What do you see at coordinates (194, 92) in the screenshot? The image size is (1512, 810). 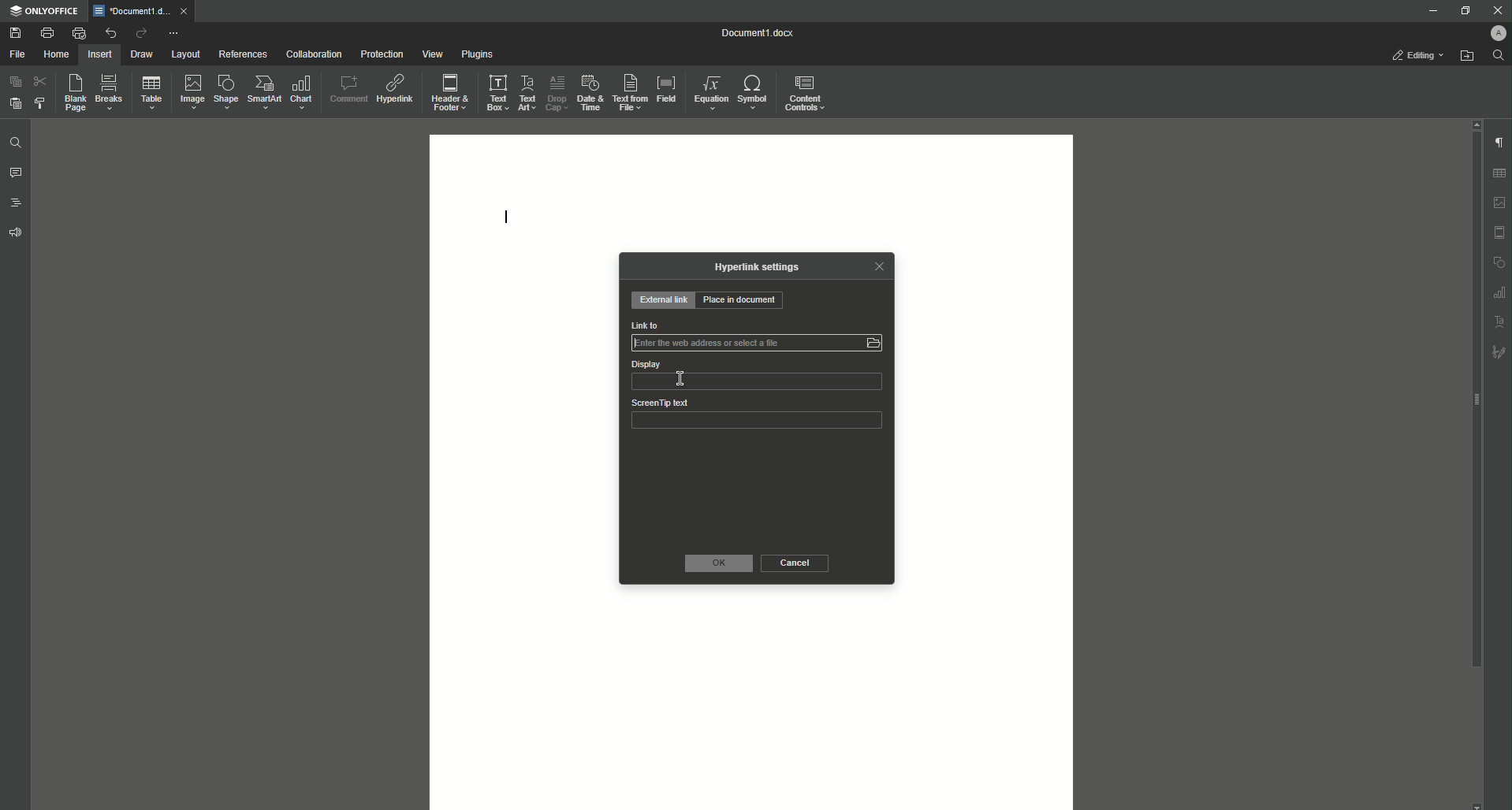 I see `Image` at bounding box center [194, 92].